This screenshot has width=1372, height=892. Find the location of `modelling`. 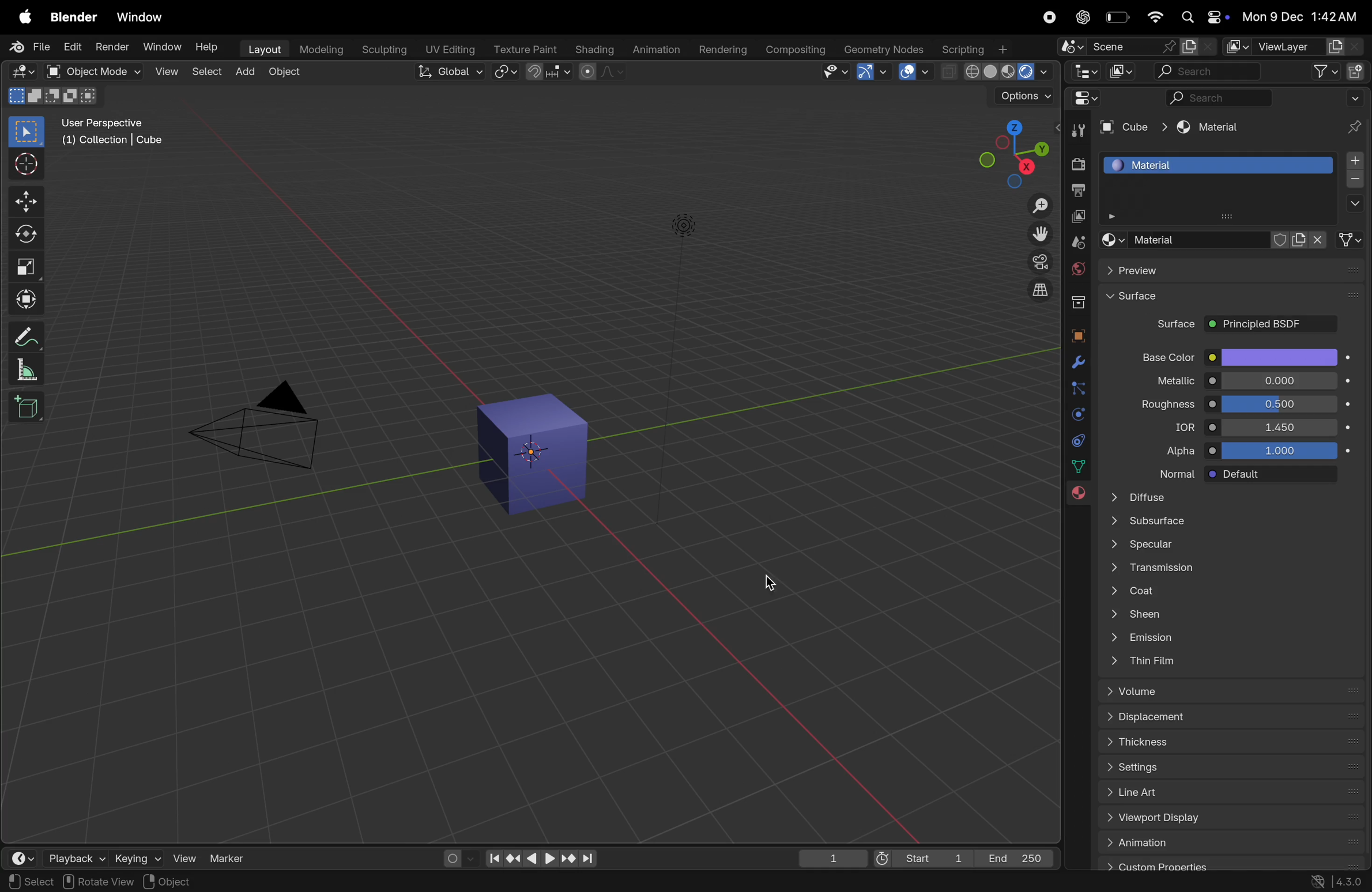

modelling is located at coordinates (323, 50).